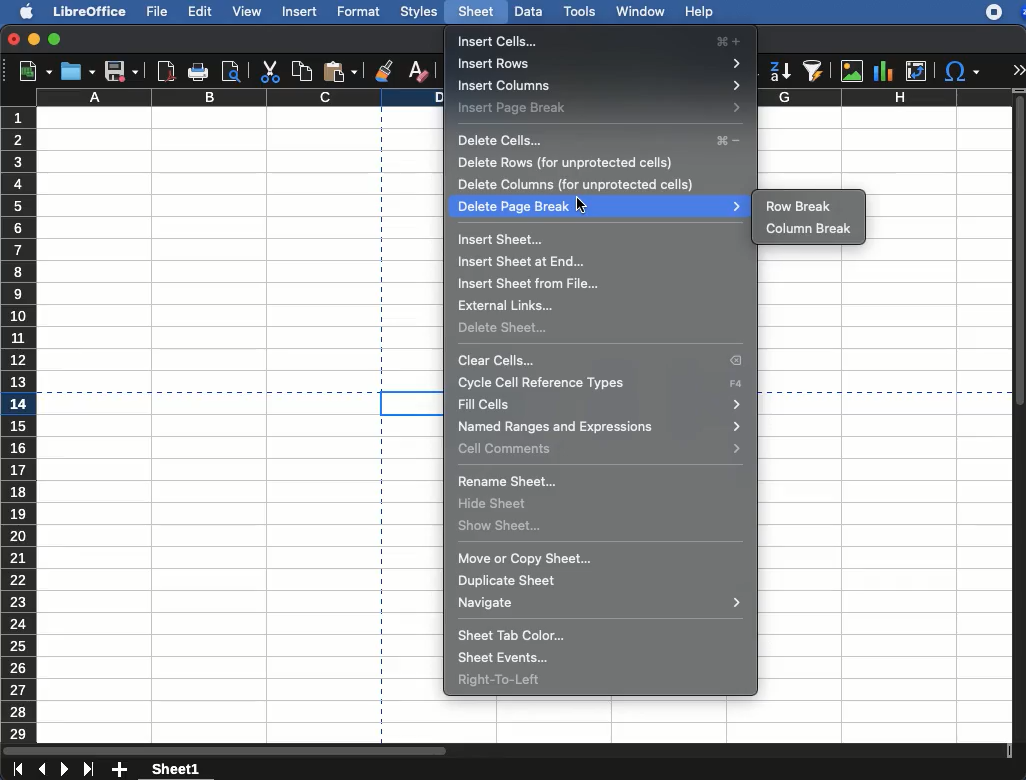 This screenshot has width=1026, height=780. Describe the element at coordinates (1020, 69) in the screenshot. I see `expand` at that location.